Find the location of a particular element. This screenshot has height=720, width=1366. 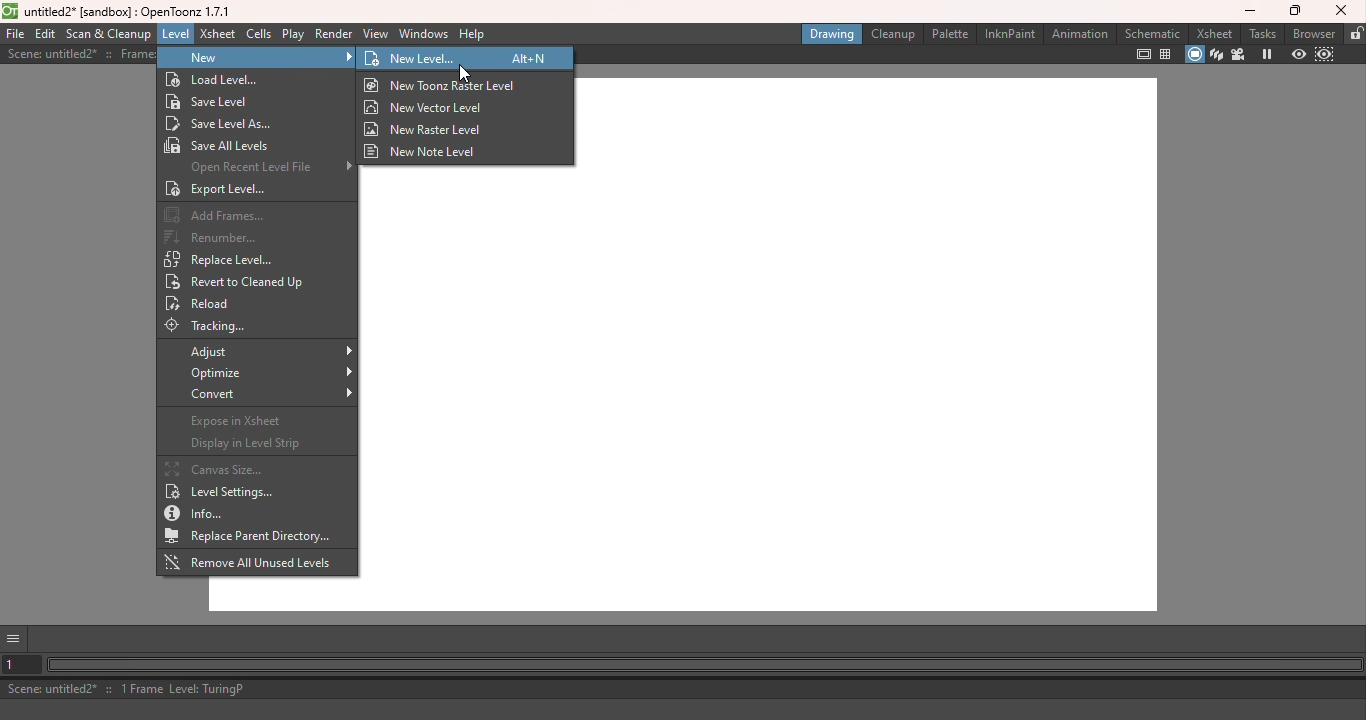

Windows is located at coordinates (425, 34).